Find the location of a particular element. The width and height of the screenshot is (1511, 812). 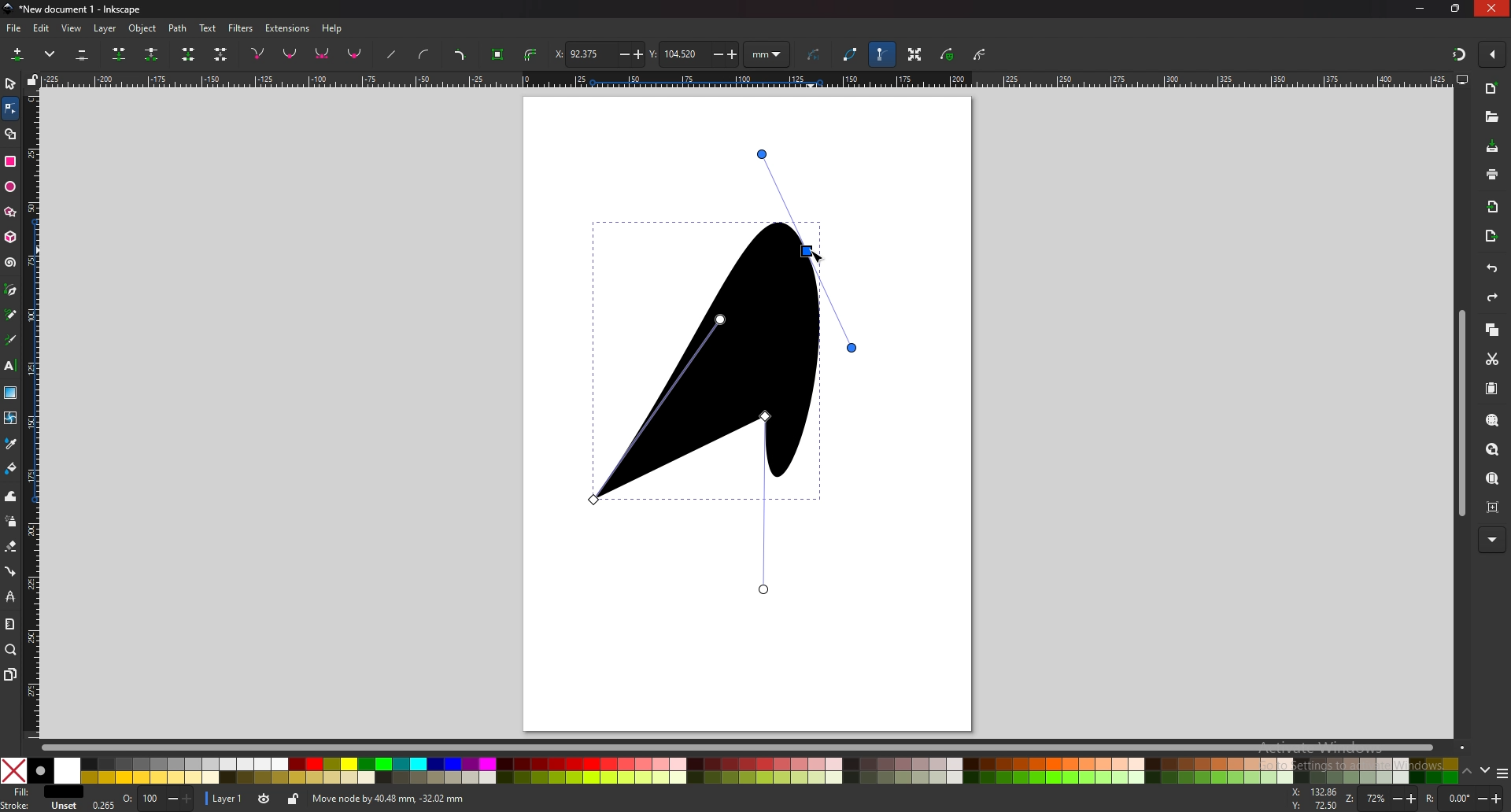

pen is located at coordinates (11, 290).